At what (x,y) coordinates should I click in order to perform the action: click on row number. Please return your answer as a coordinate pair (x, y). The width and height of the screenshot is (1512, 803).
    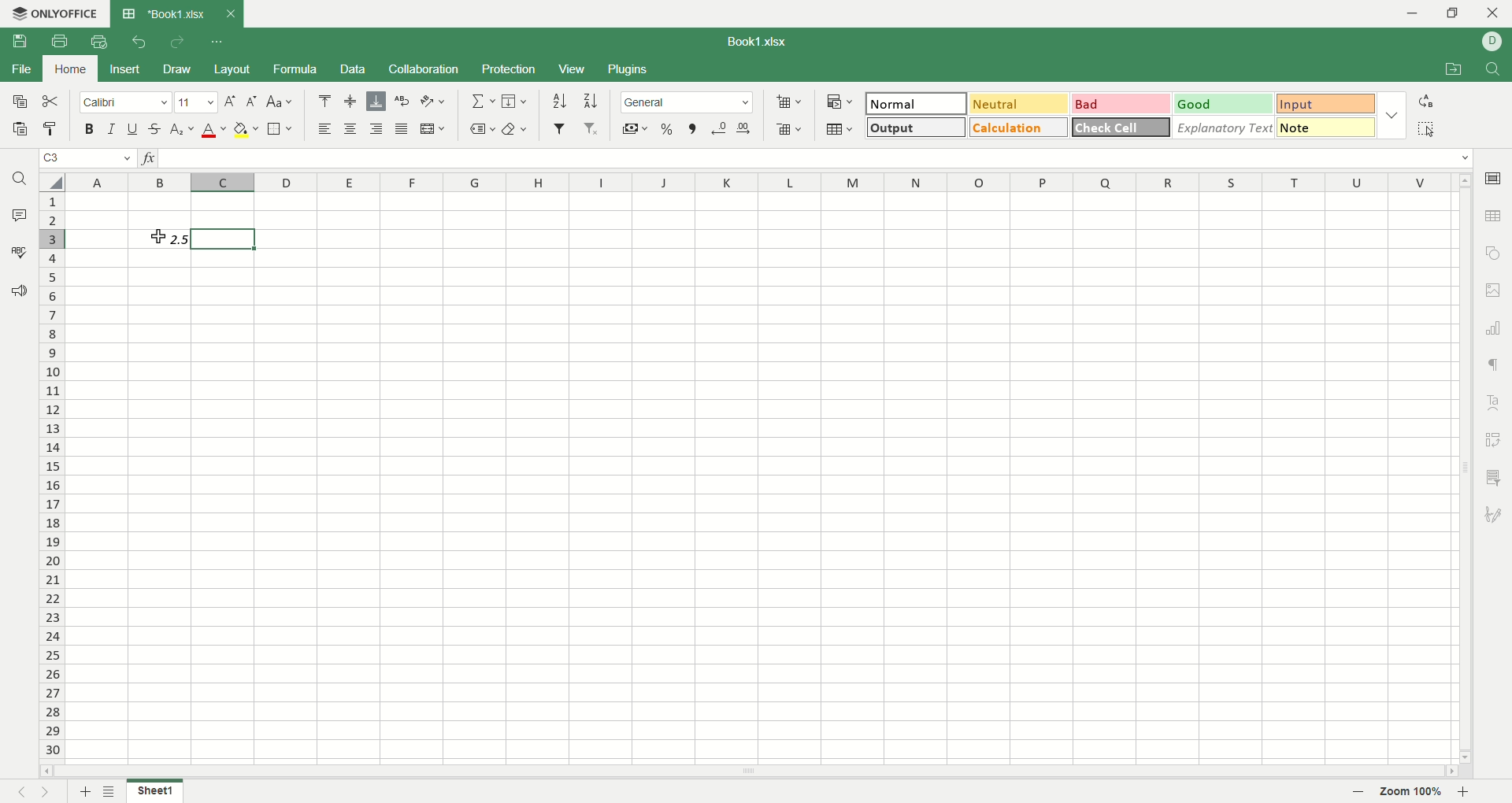
    Looking at the image, I should click on (53, 476).